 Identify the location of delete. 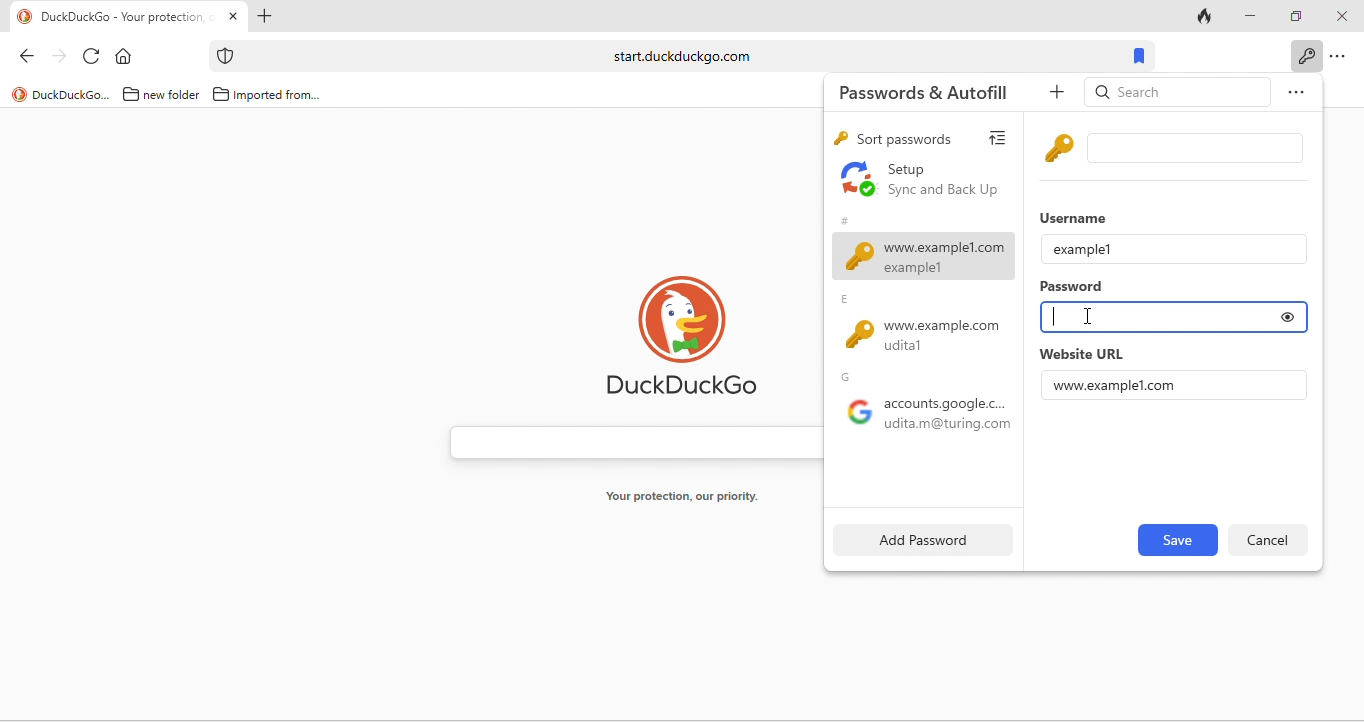
(1268, 539).